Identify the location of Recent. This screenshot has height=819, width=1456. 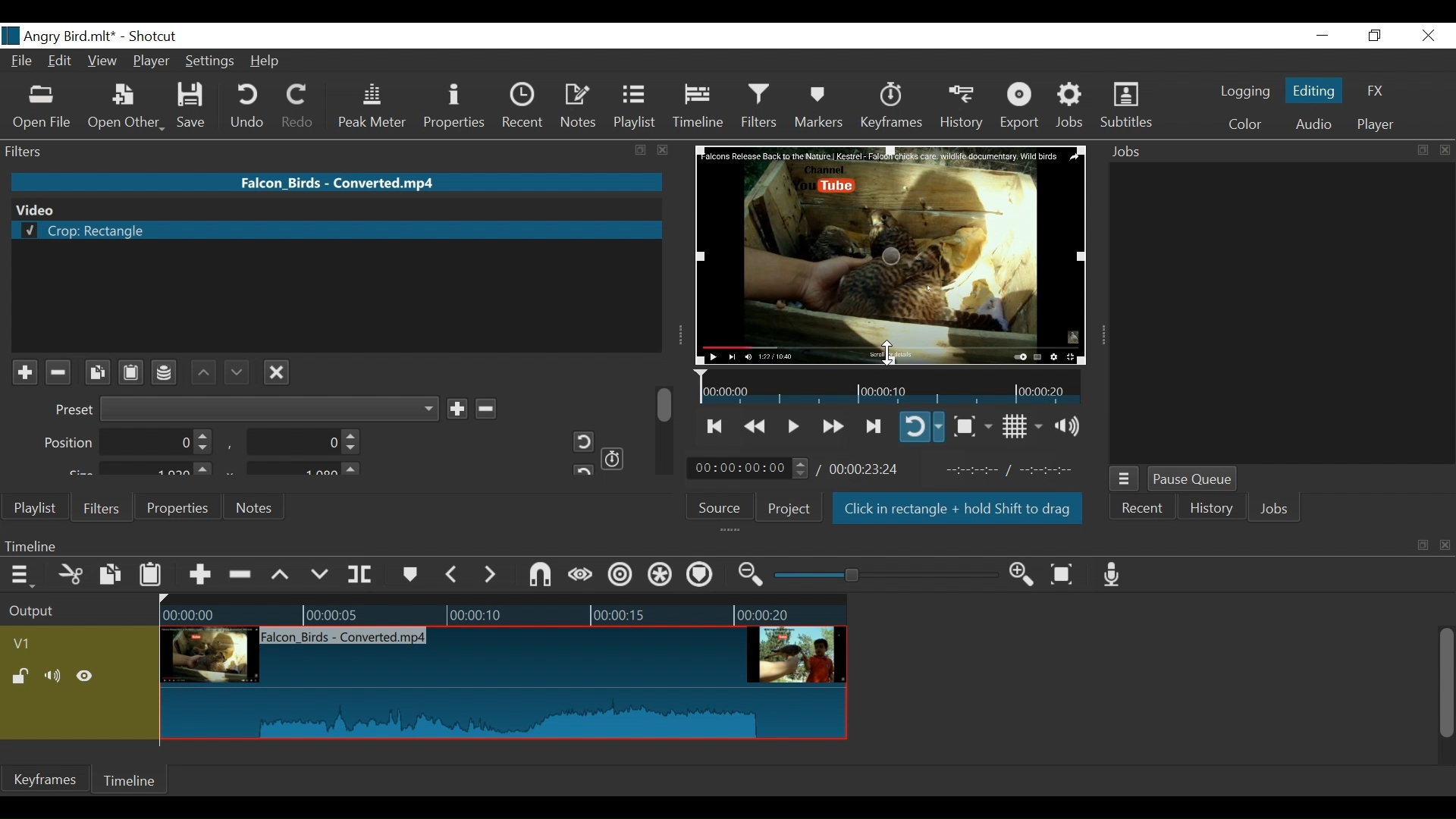
(526, 106).